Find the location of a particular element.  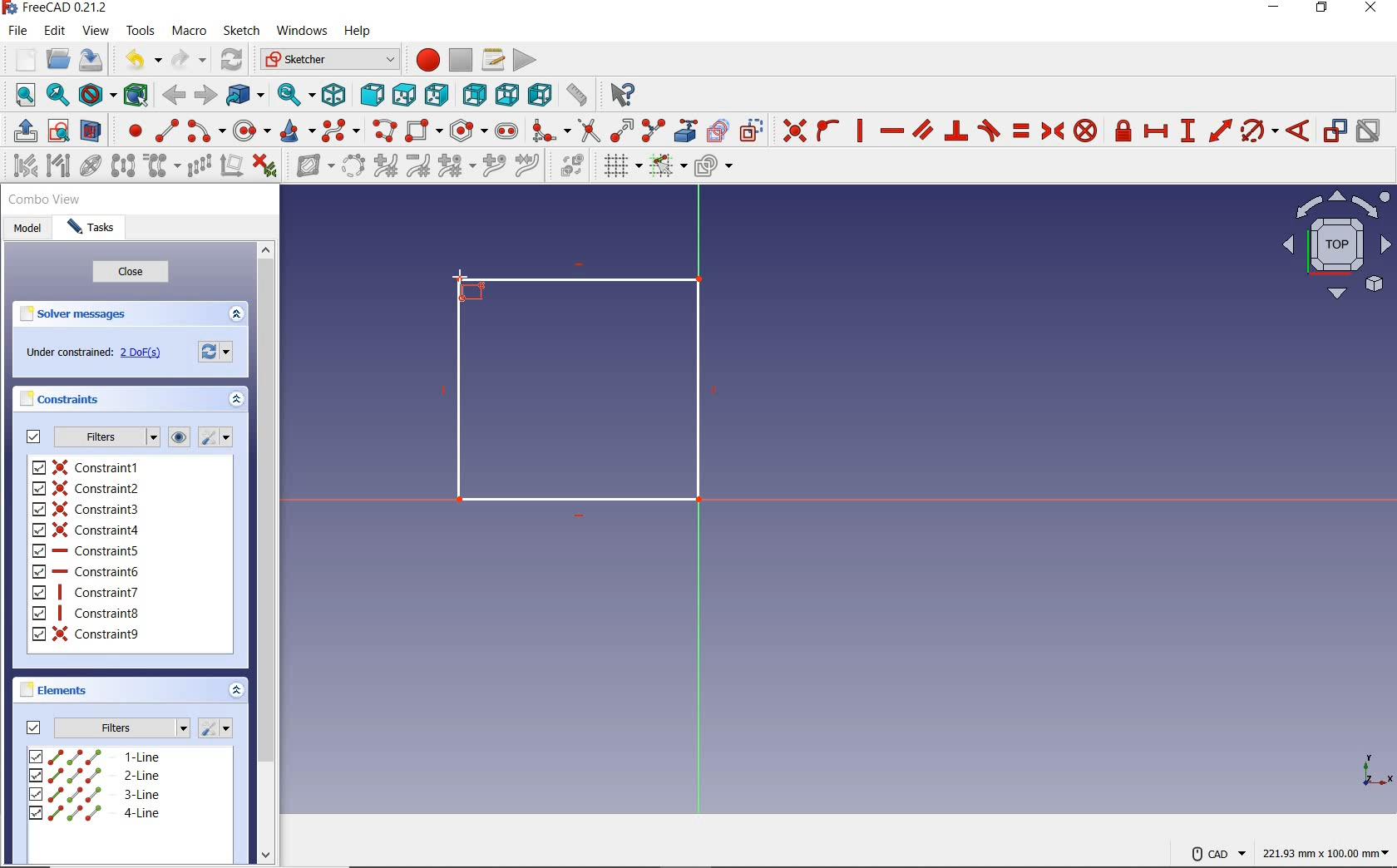

bounding box is located at coordinates (133, 94).